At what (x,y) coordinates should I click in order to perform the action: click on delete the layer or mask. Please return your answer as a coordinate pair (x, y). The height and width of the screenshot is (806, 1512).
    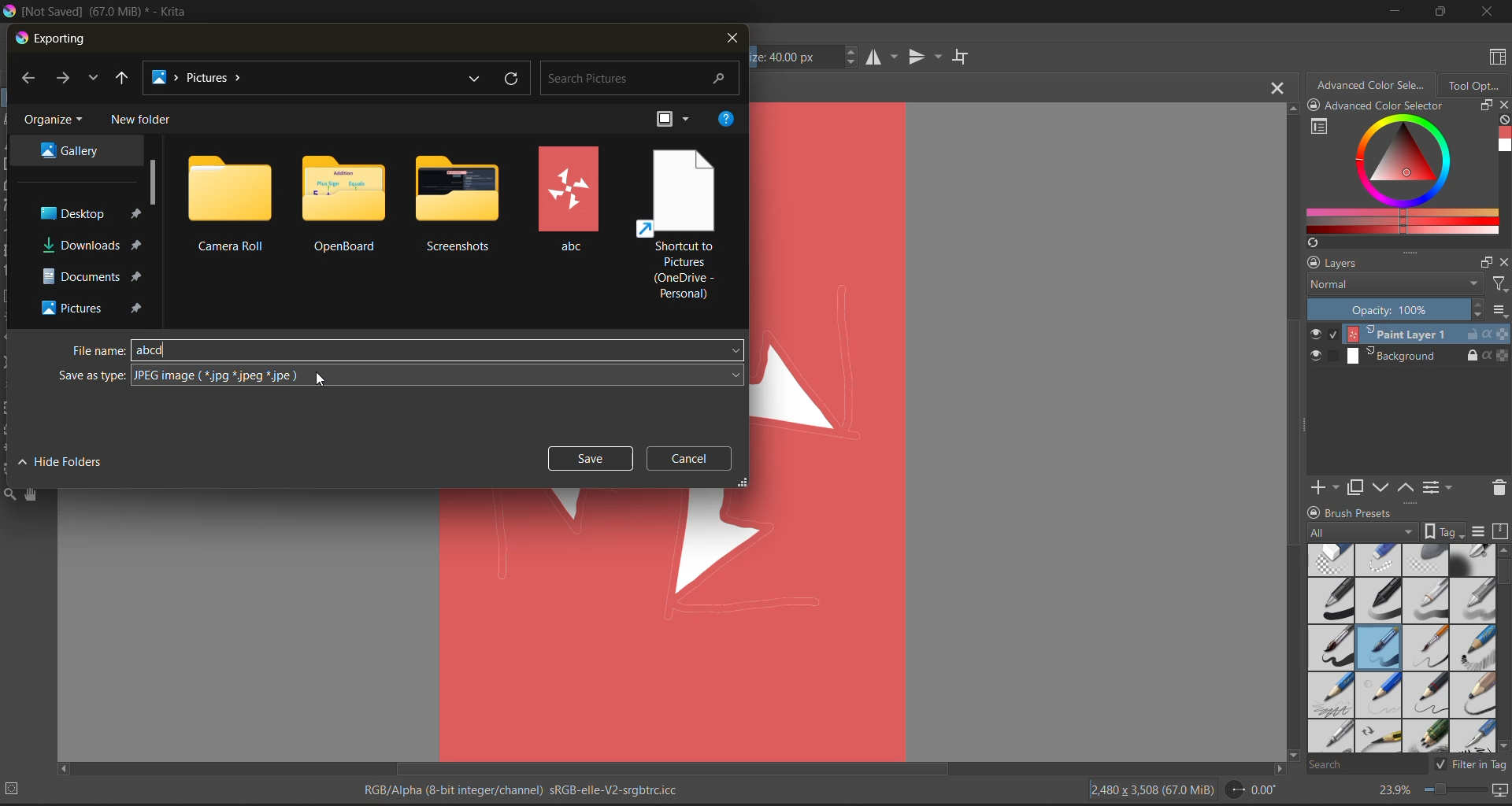
    Looking at the image, I should click on (1494, 490).